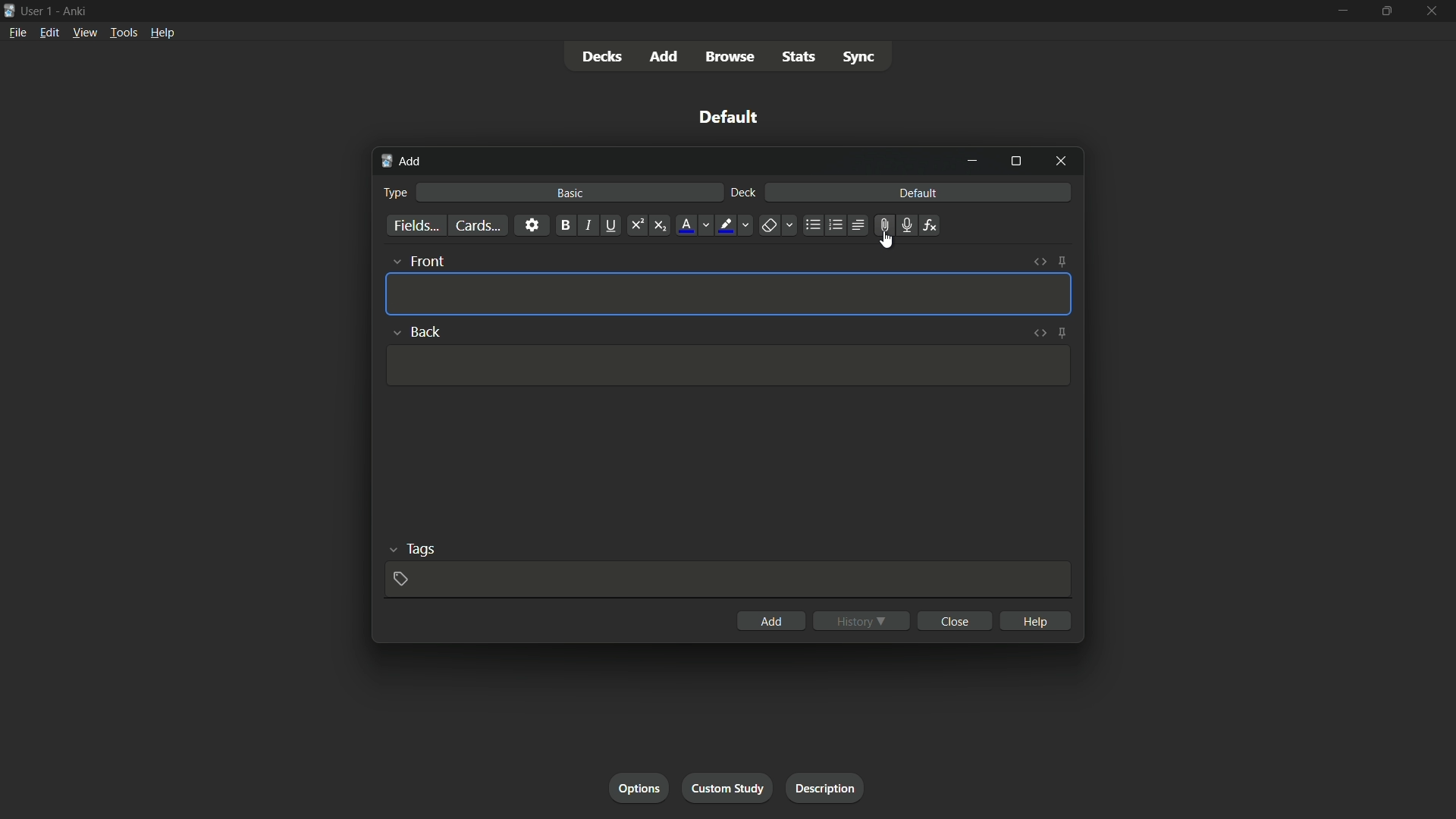 The height and width of the screenshot is (819, 1456). I want to click on decks, so click(602, 58).